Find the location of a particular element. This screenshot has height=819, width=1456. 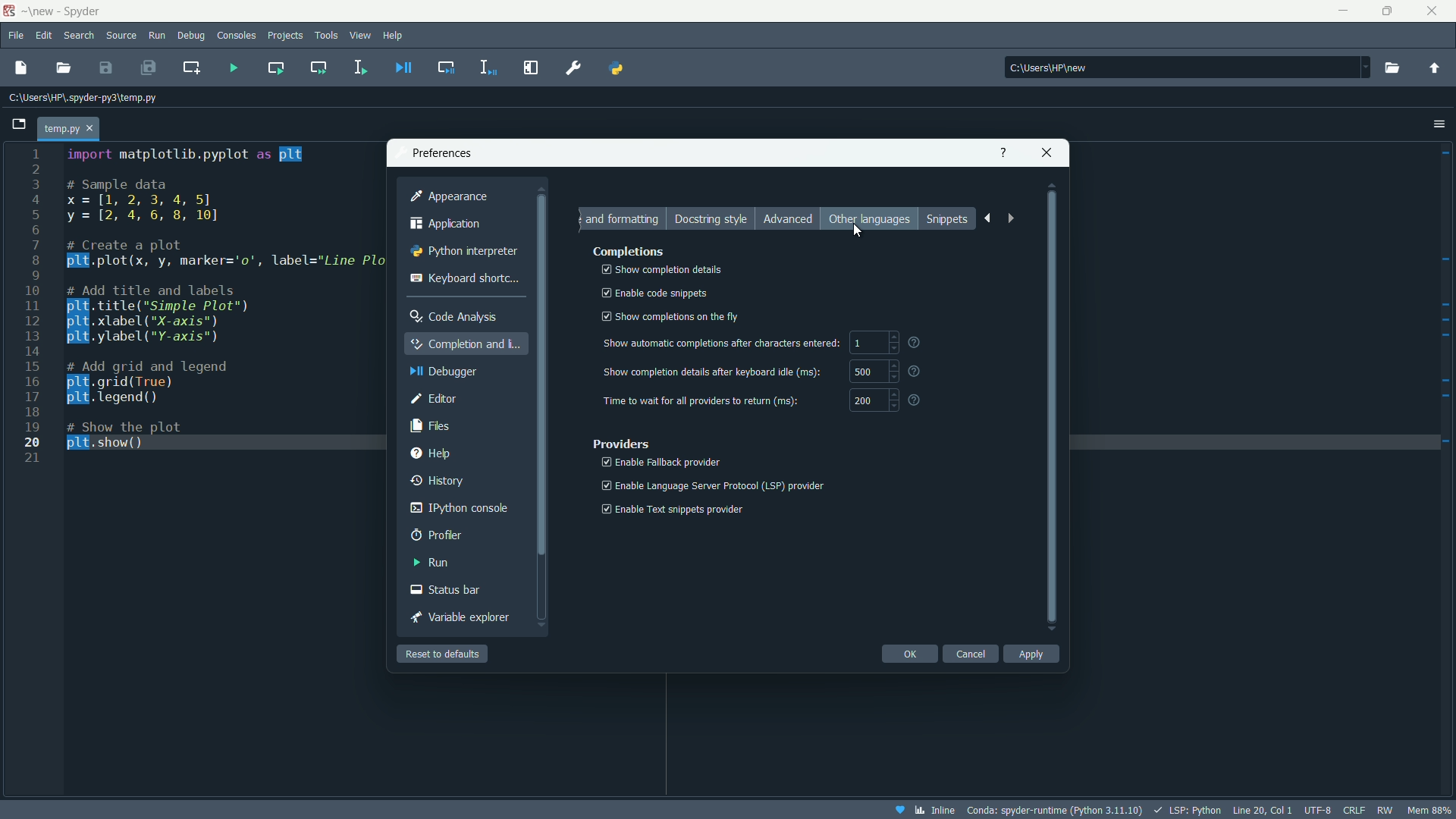

increment and decremnt button is located at coordinates (894, 401).